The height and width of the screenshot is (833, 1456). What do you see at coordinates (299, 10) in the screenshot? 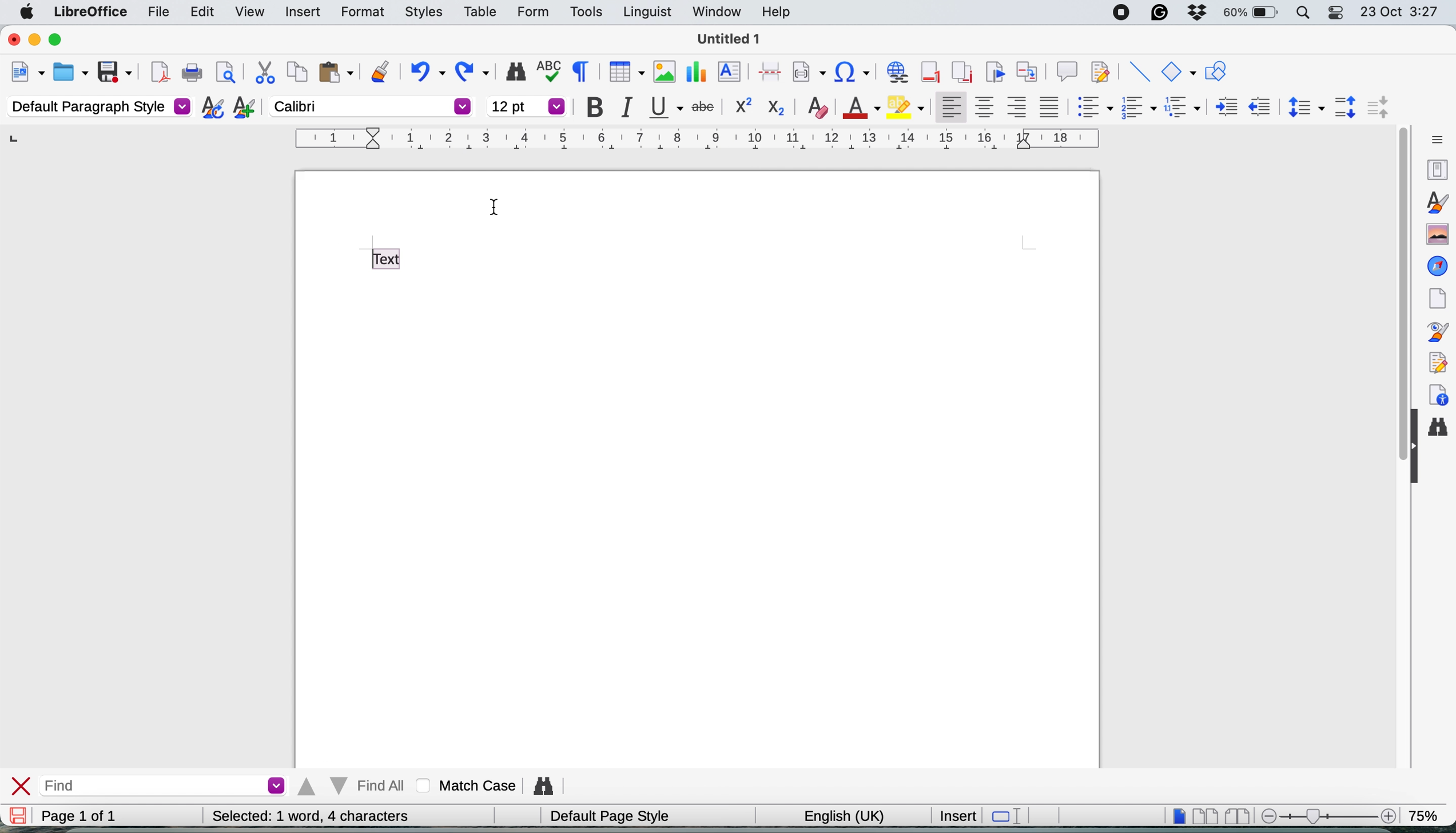
I see `insert` at bounding box center [299, 10].